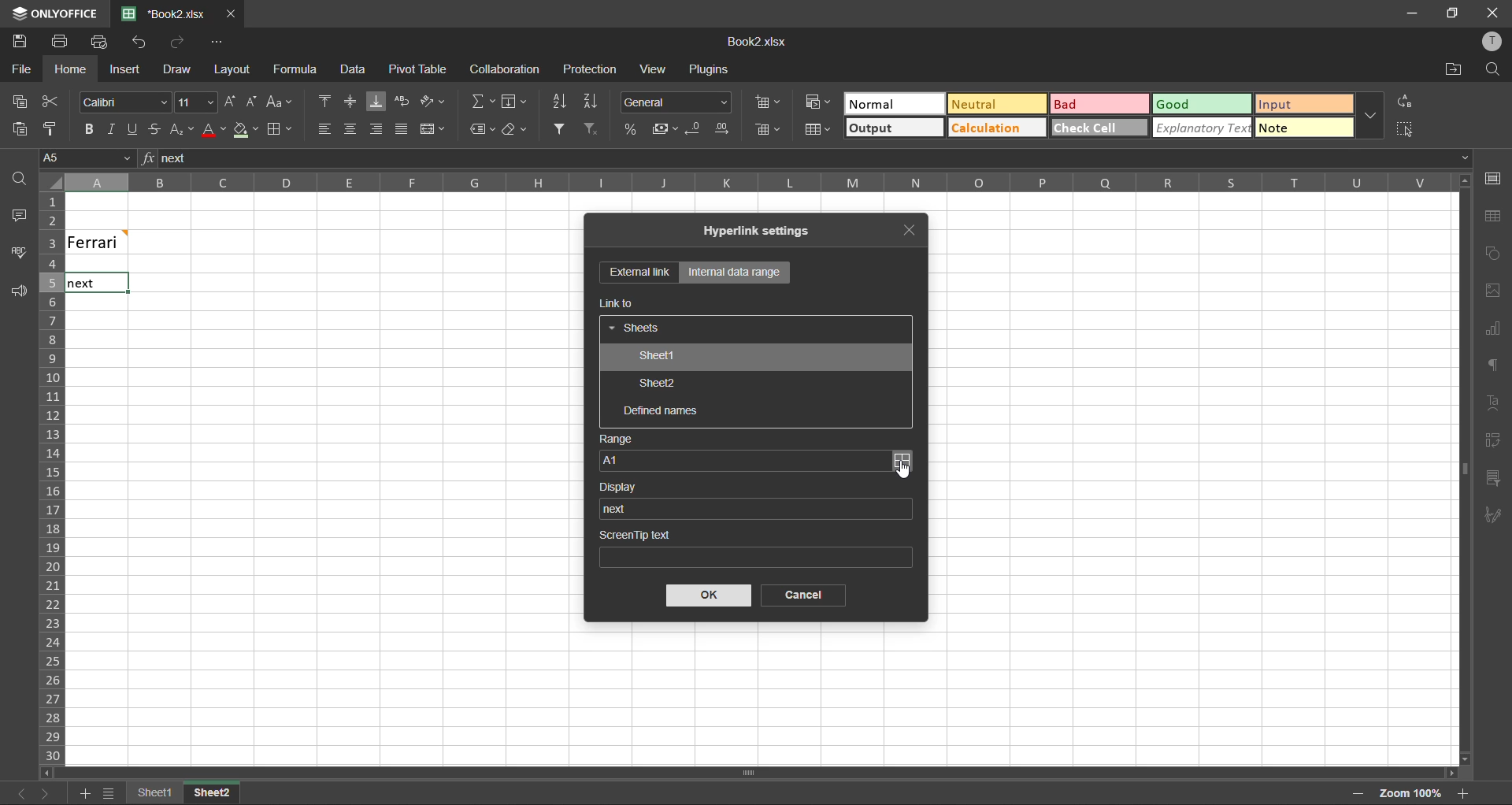 The image size is (1512, 805). I want to click on sub/superscript, so click(181, 129).